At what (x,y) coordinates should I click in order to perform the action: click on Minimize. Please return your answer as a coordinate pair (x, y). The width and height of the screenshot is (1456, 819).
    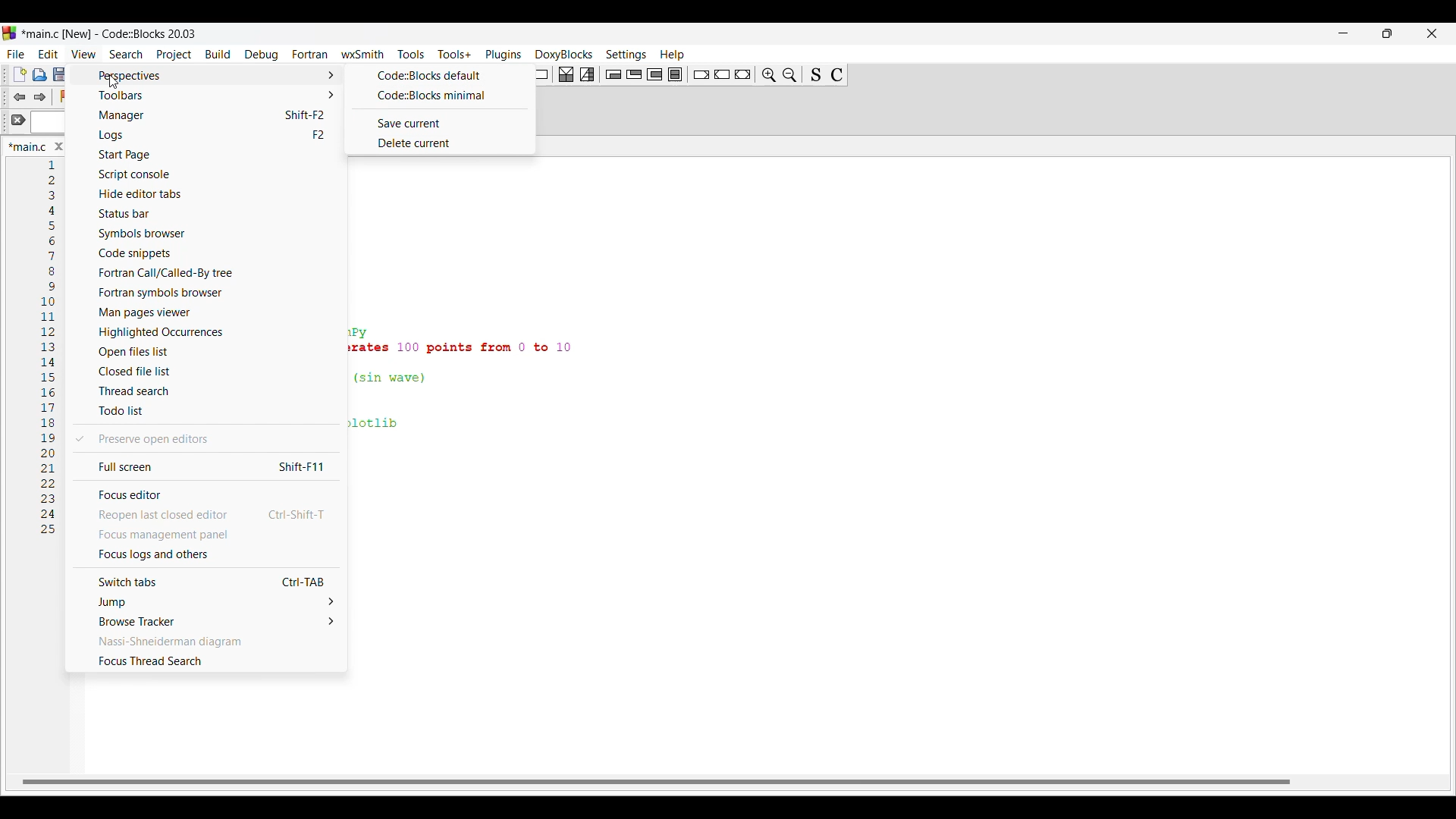
    Looking at the image, I should click on (1344, 33).